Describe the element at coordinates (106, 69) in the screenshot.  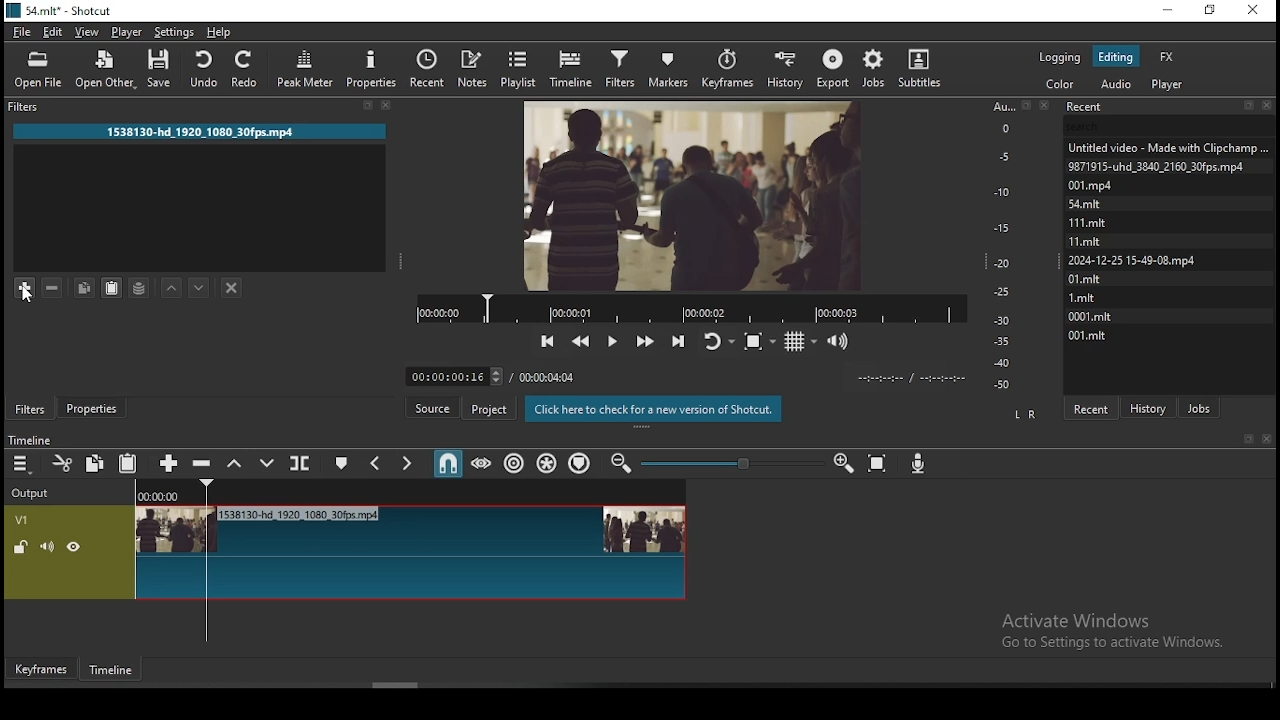
I see `open other` at that location.